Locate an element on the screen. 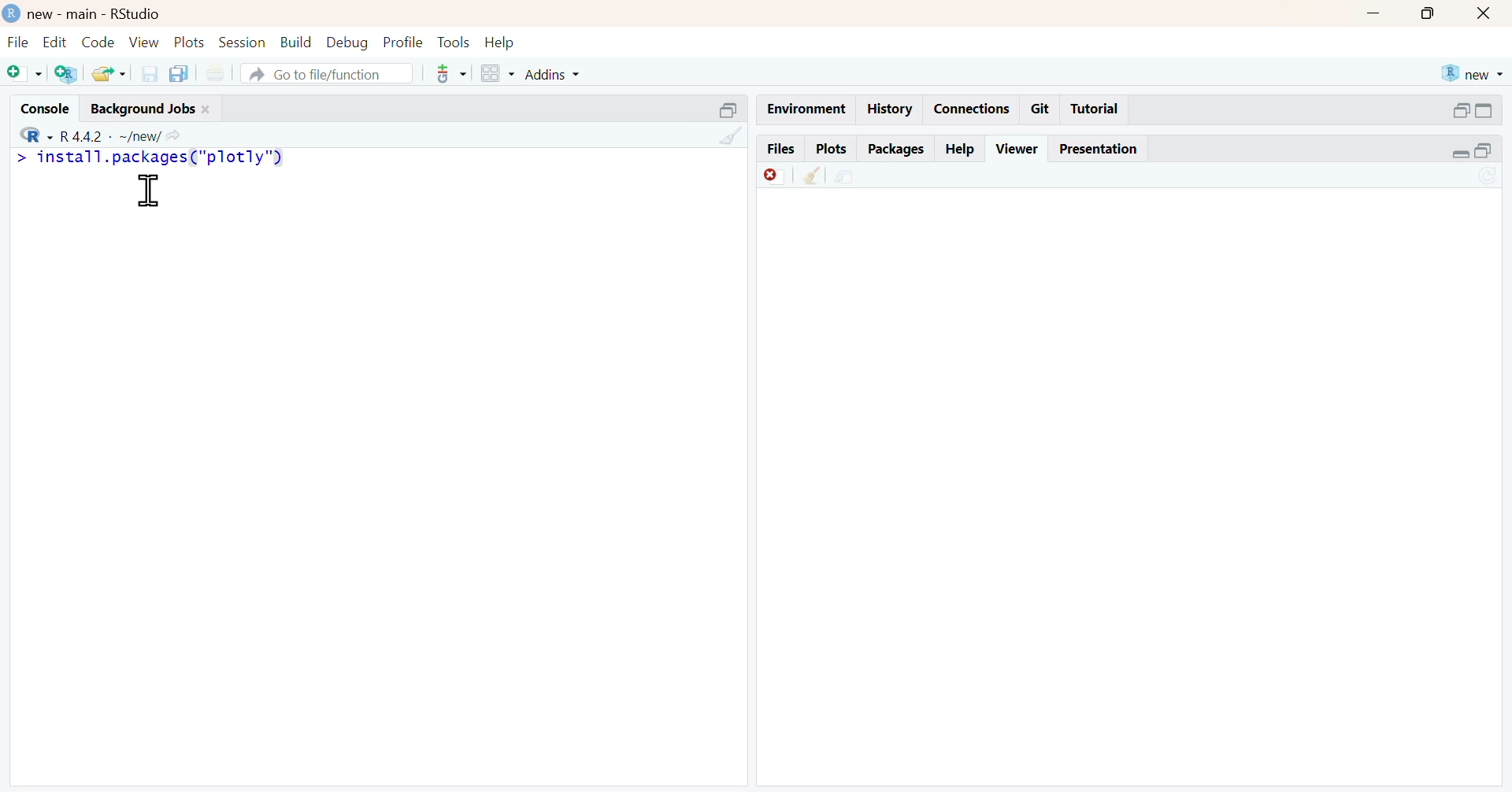 This screenshot has height=792, width=1512. view the current working directory is located at coordinates (178, 135).